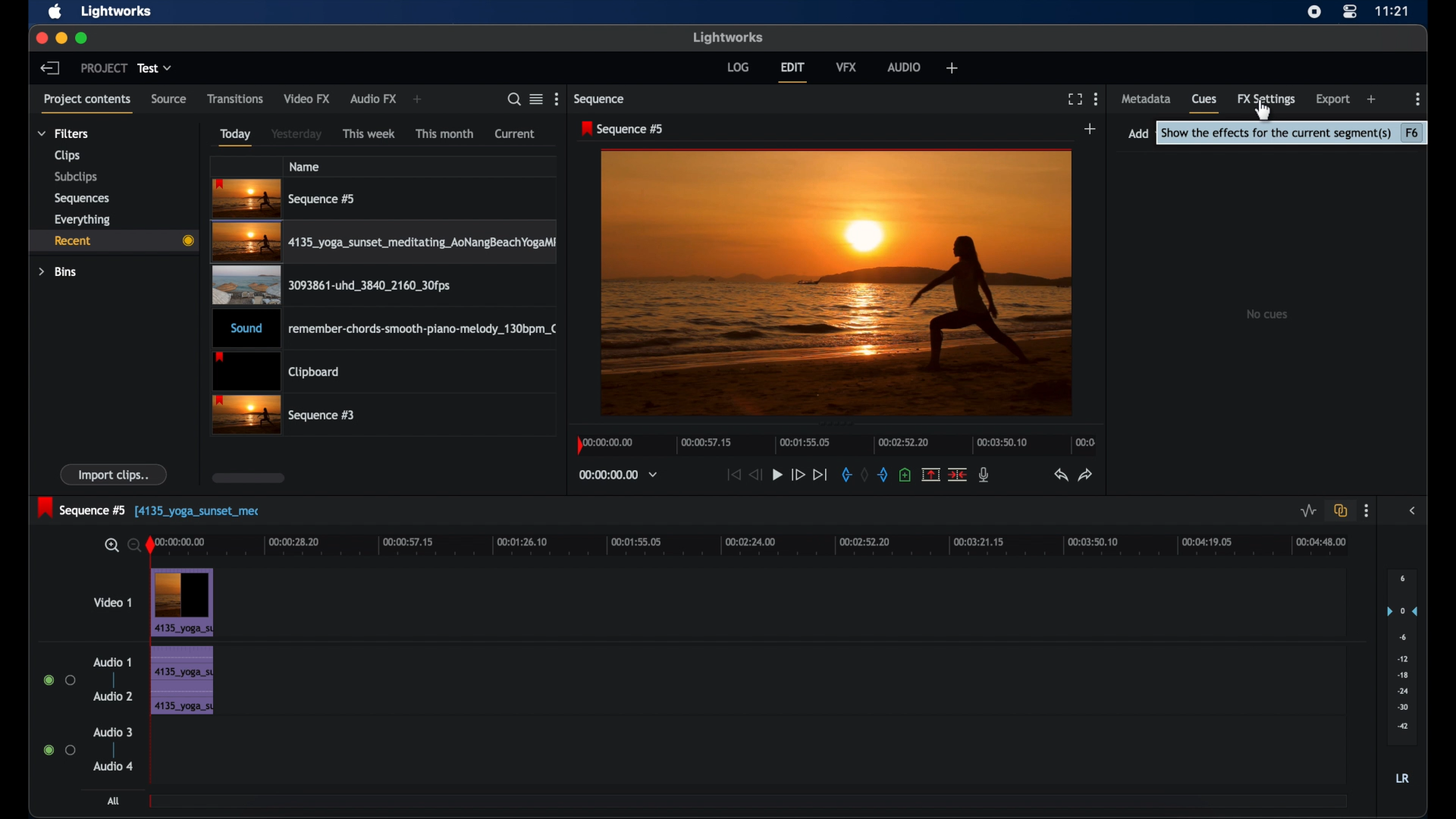 Image resolution: width=1456 pixels, height=819 pixels. Describe the element at coordinates (1147, 98) in the screenshot. I see `metadata` at that location.